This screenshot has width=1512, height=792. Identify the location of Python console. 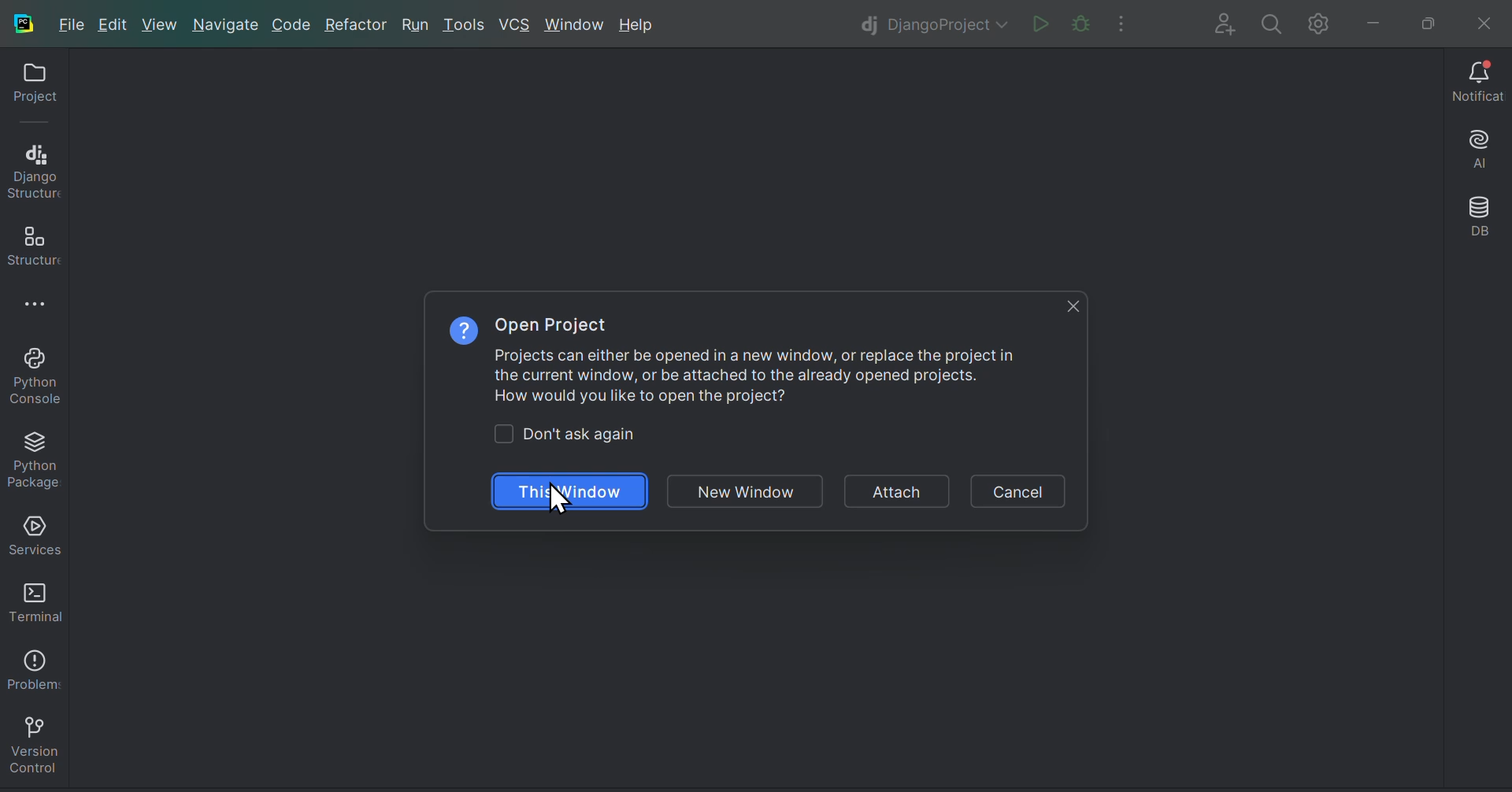
(33, 375).